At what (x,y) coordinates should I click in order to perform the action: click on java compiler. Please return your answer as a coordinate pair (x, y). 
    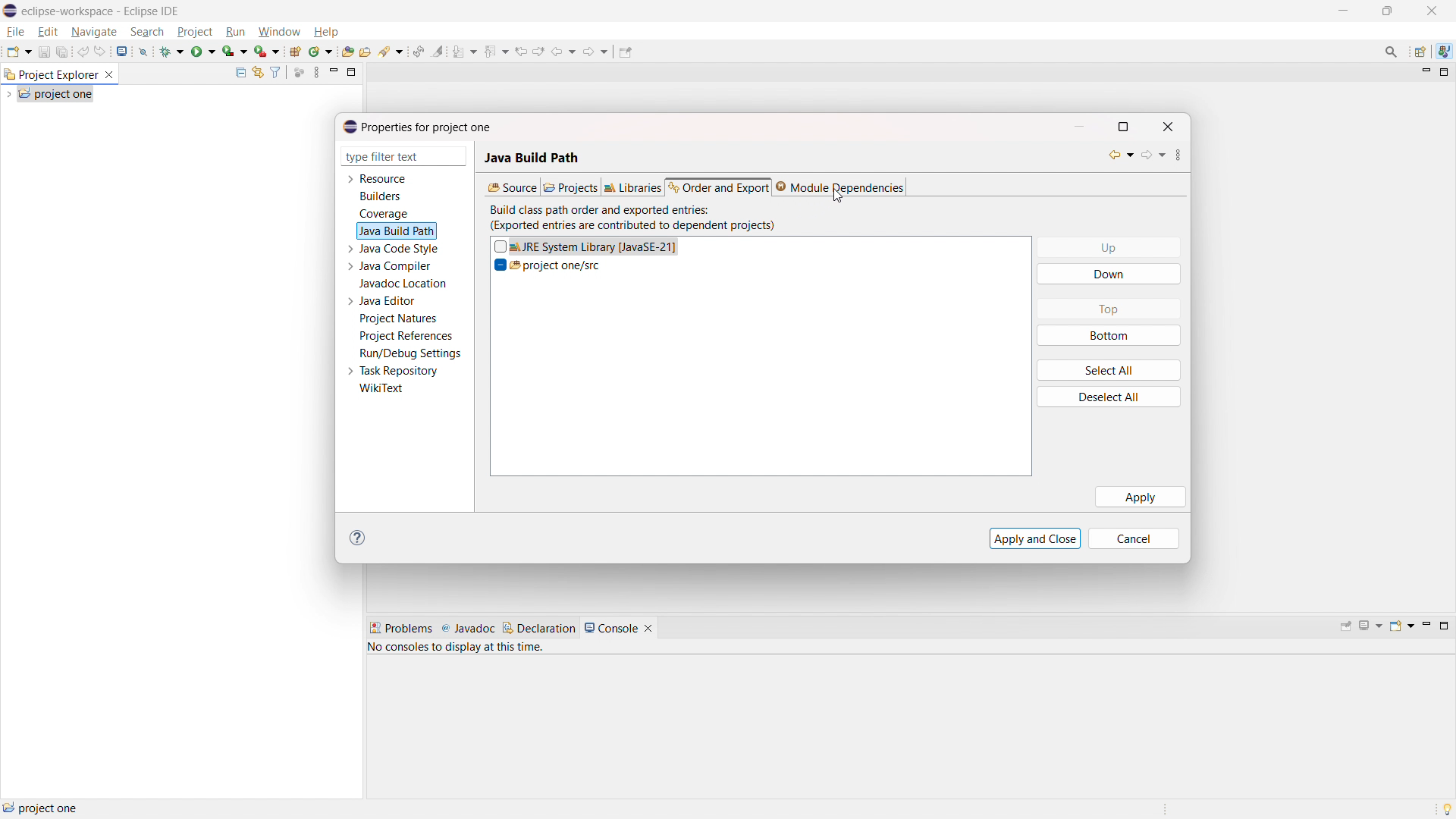
    Looking at the image, I should click on (397, 266).